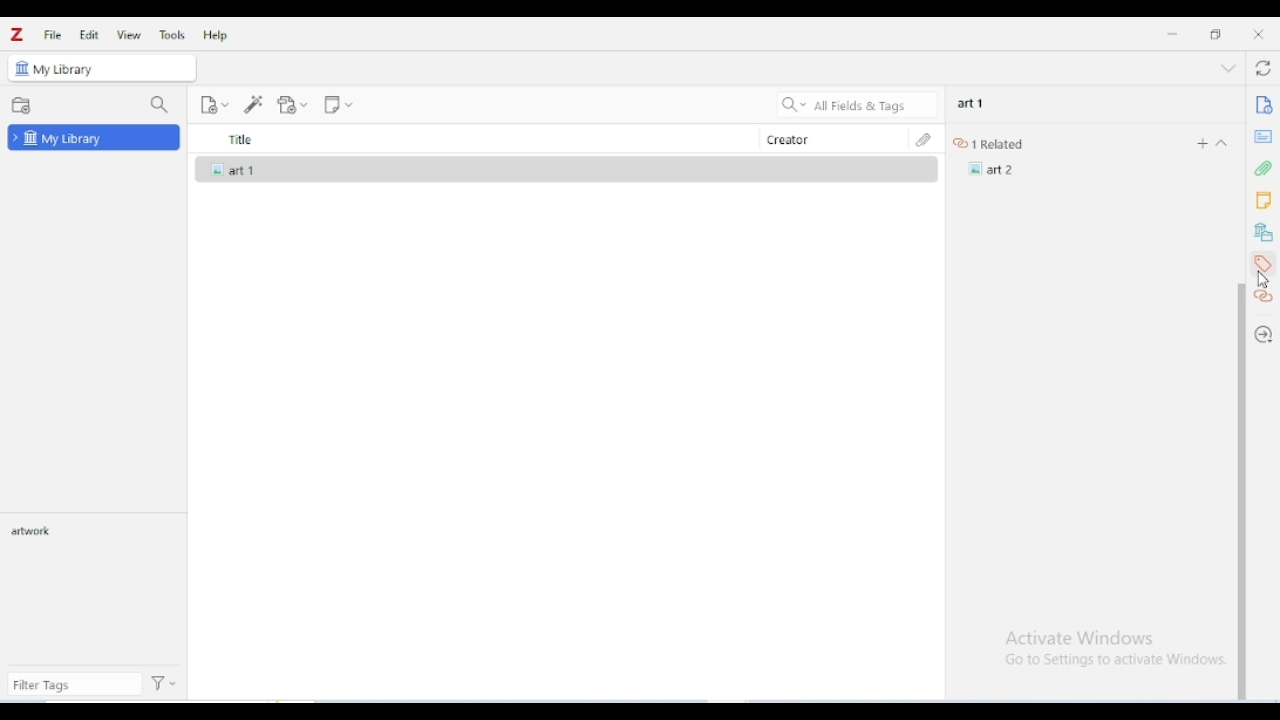 Image resolution: width=1280 pixels, height=720 pixels. What do you see at coordinates (971, 102) in the screenshot?
I see `art 1` at bounding box center [971, 102].